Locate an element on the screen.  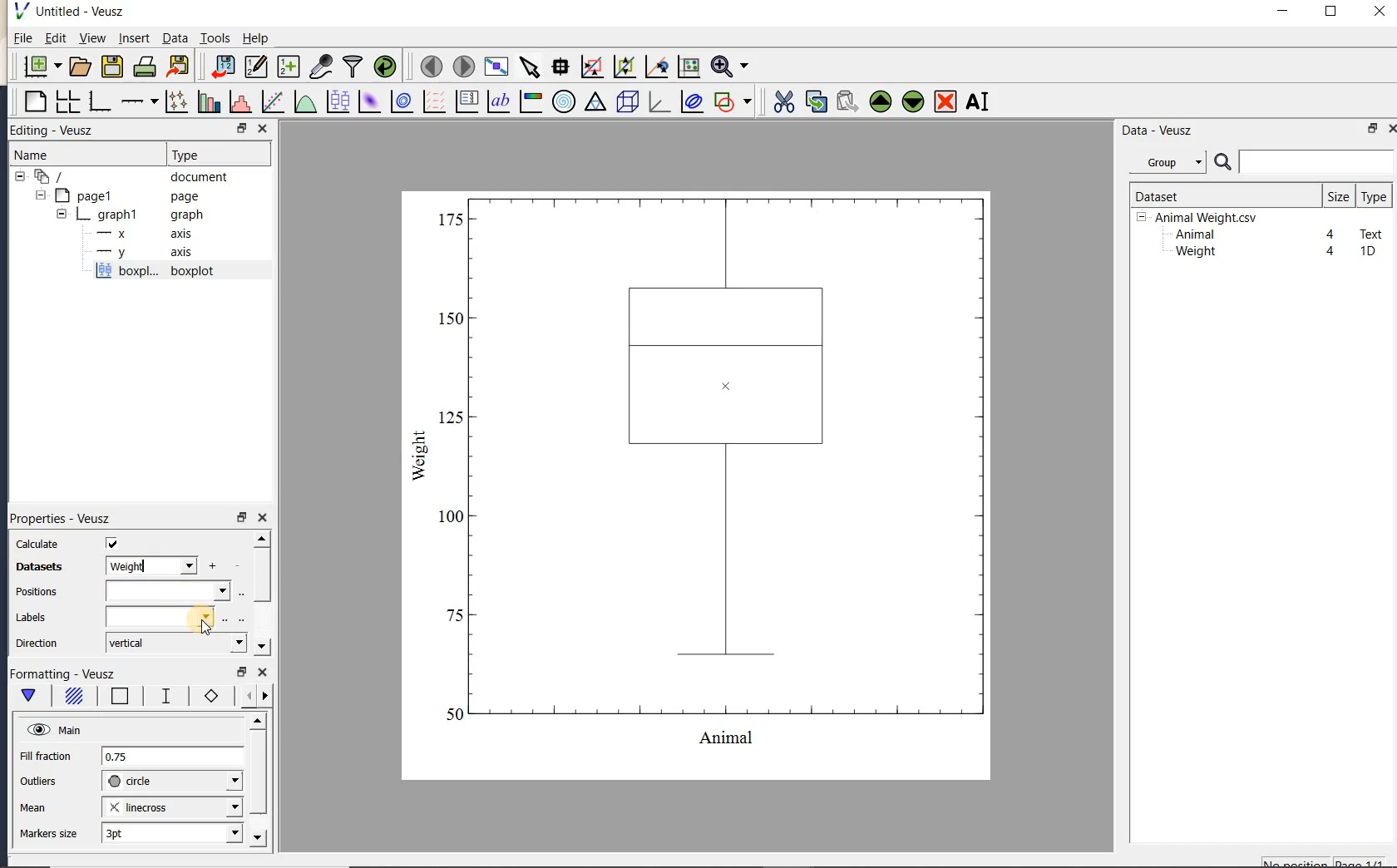
check/uncheck is located at coordinates (112, 543).